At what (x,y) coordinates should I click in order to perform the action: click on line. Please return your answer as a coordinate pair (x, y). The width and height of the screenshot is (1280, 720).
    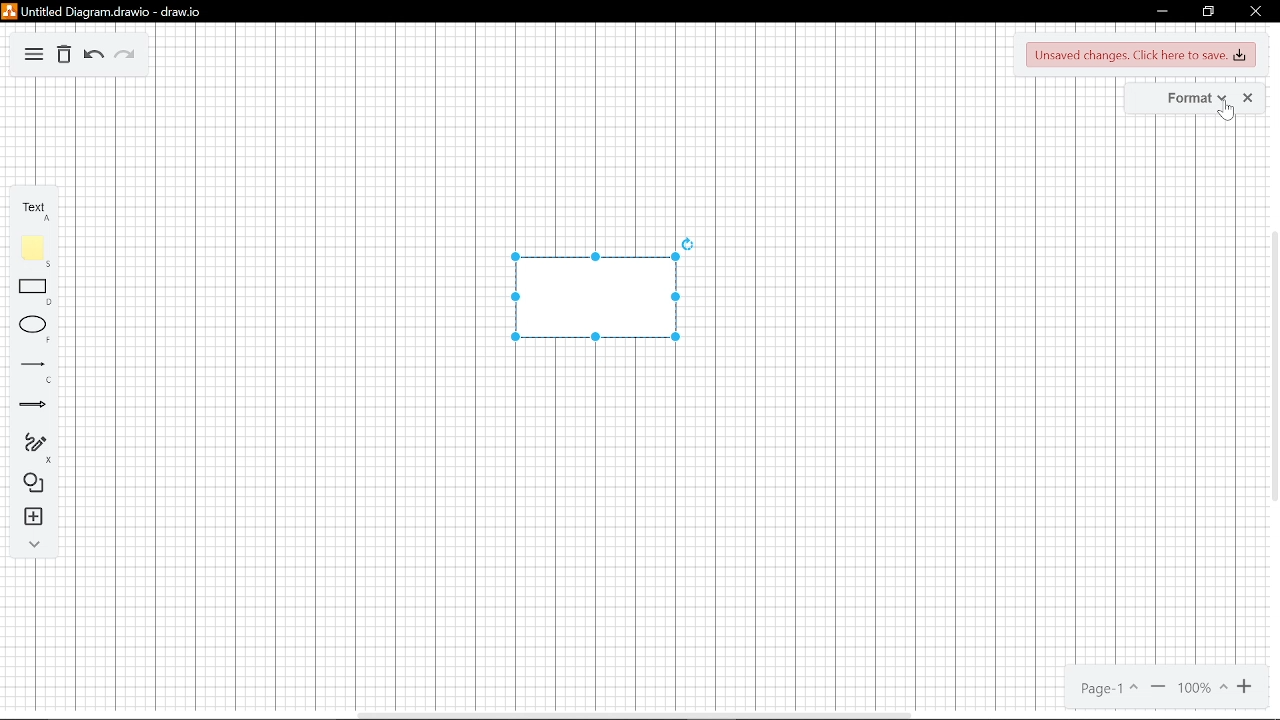
    Looking at the image, I should click on (34, 364).